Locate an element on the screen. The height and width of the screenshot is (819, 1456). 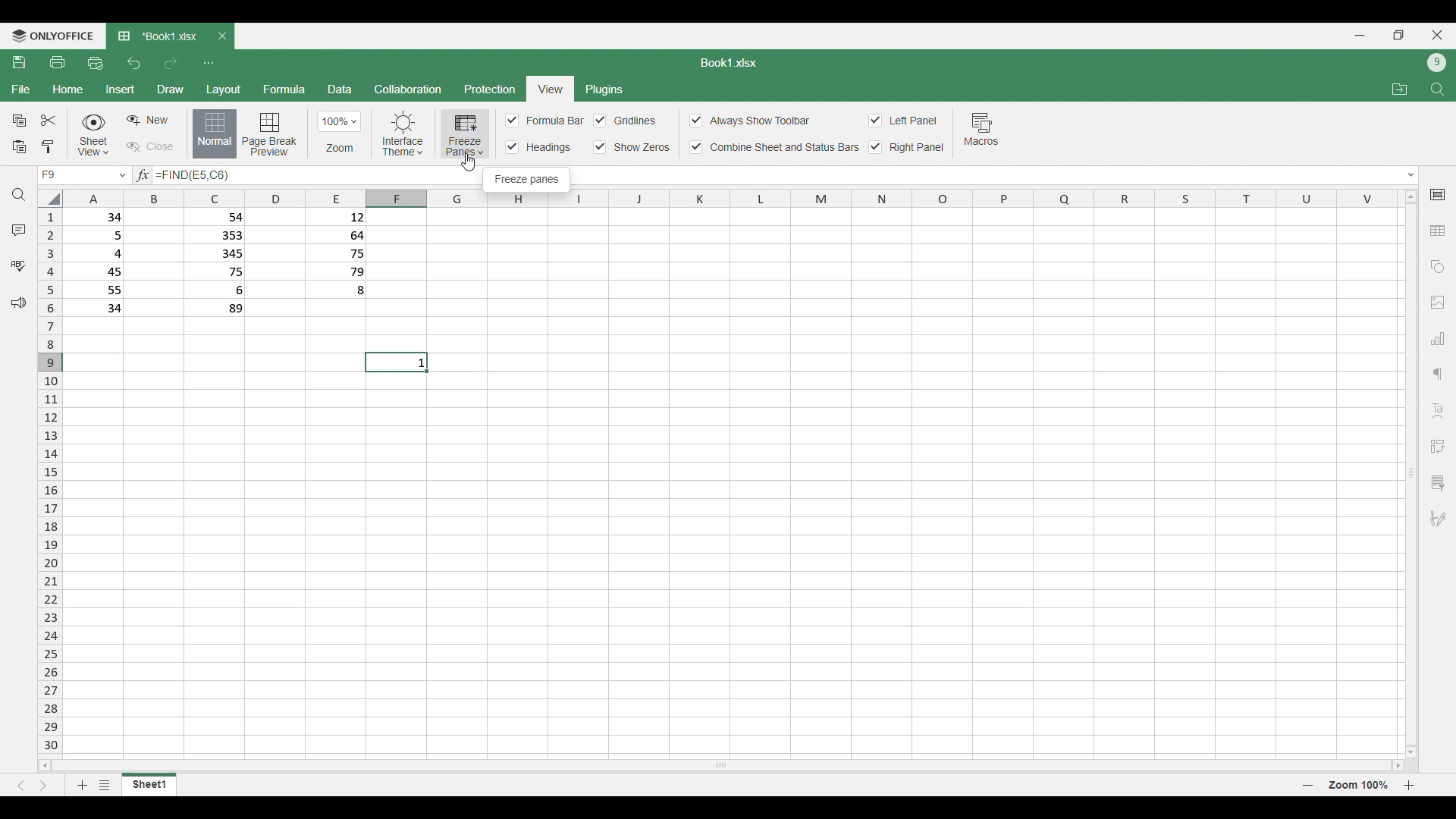
Macros is located at coordinates (981, 132).